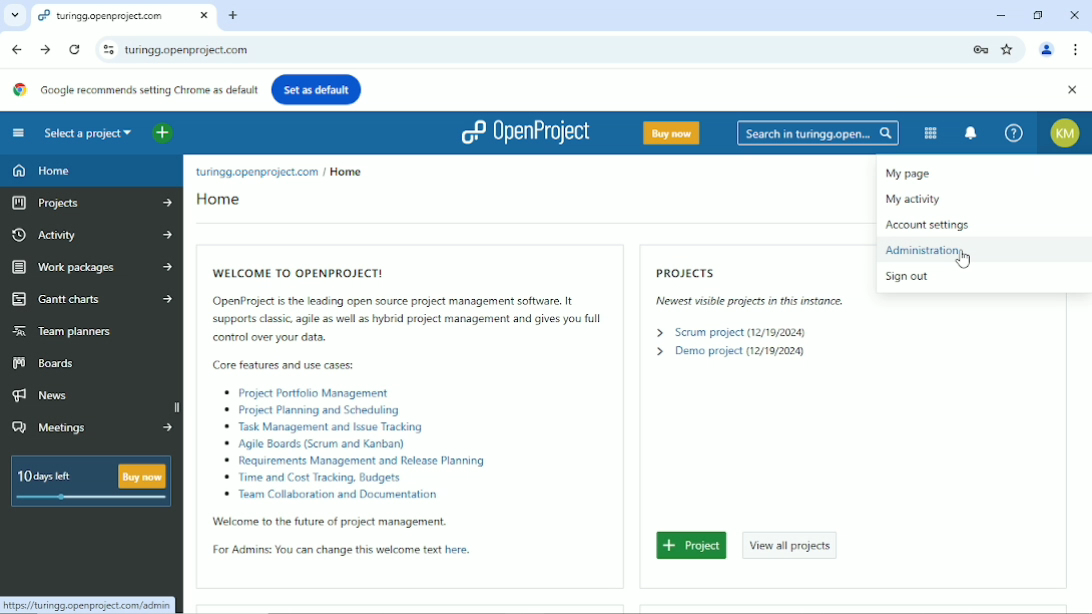 The image size is (1092, 614). What do you see at coordinates (1048, 48) in the screenshot?
I see `Account` at bounding box center [1048, 48].